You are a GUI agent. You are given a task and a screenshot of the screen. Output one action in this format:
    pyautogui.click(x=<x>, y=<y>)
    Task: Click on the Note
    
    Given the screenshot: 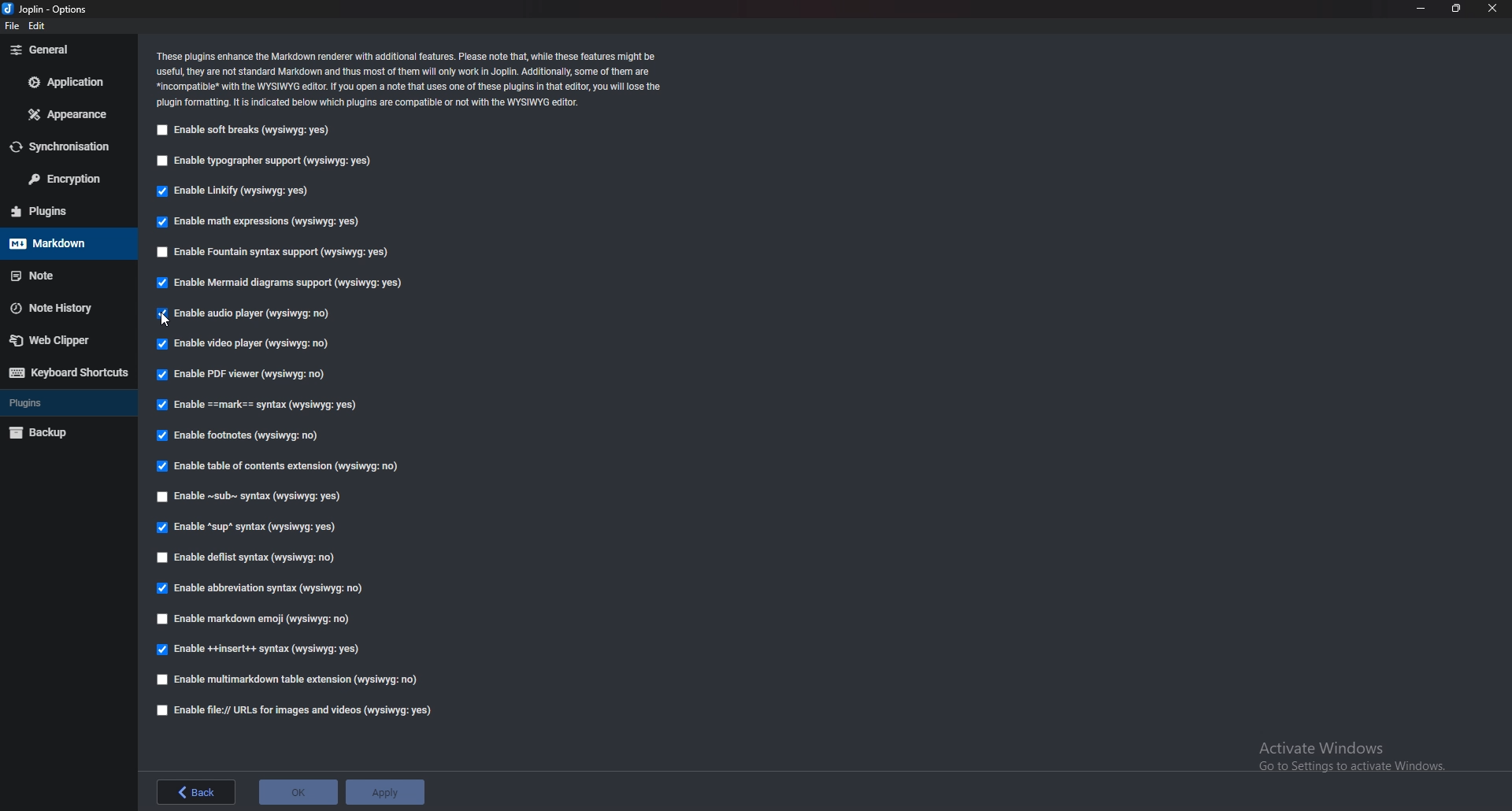 What is the action you would take?
    pyautogui.click(x=61, y=275)
    